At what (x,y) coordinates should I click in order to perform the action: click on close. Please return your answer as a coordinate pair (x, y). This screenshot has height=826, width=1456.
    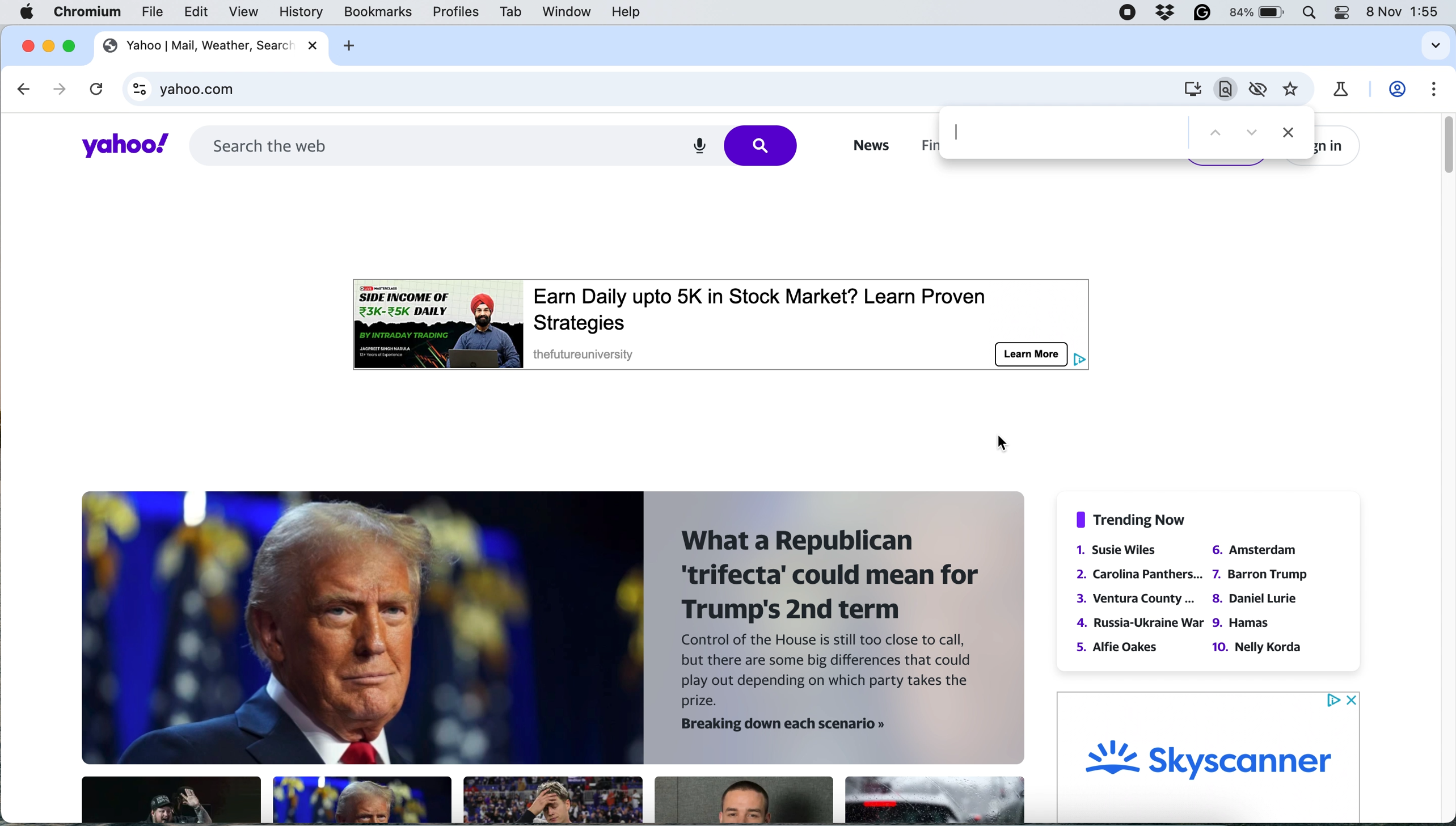
    Looking at the image, I should click on (26, 45).